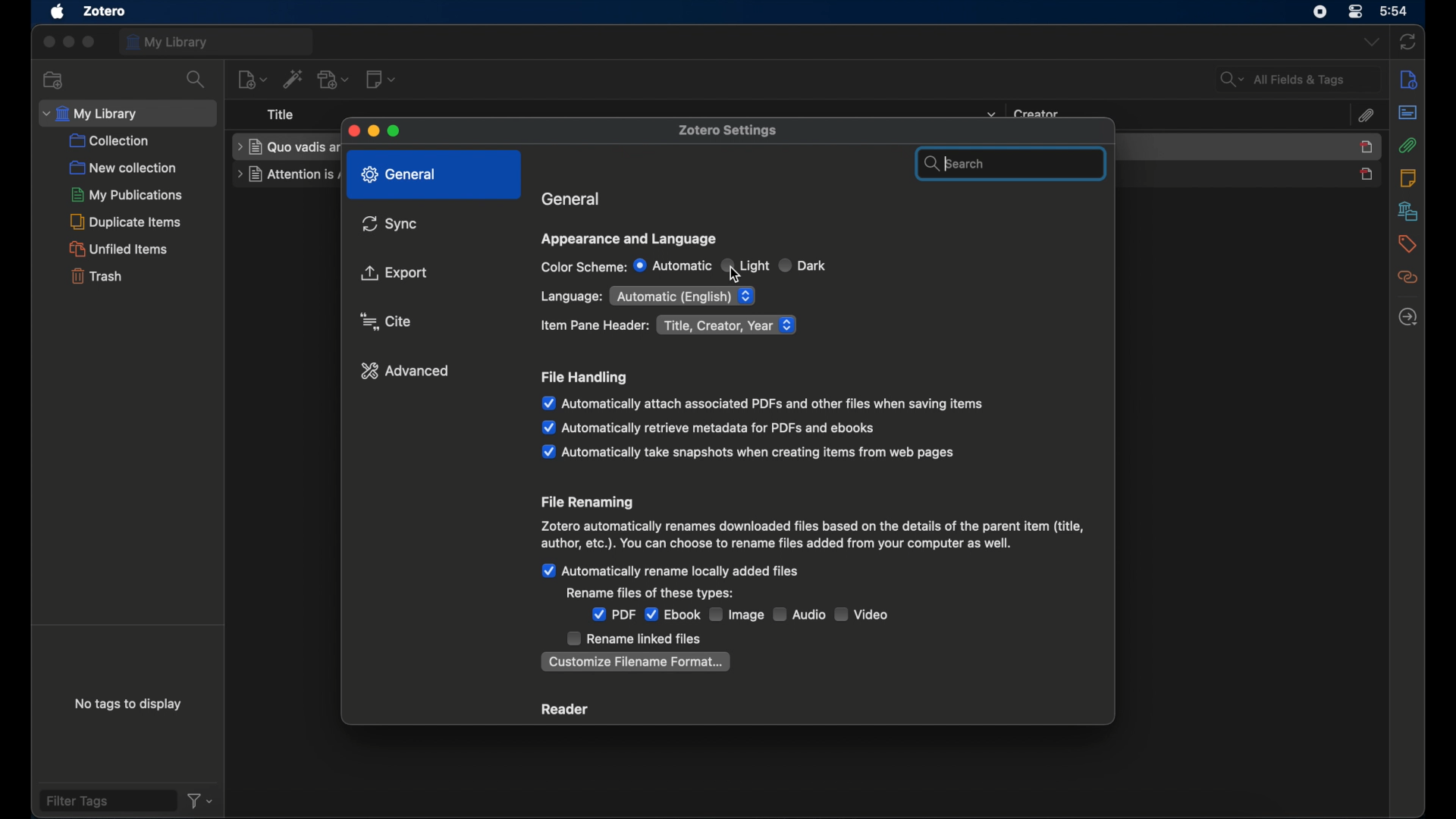 This screenshot has width=1456, height=819. I want to click on maximize, so click(395, 131).